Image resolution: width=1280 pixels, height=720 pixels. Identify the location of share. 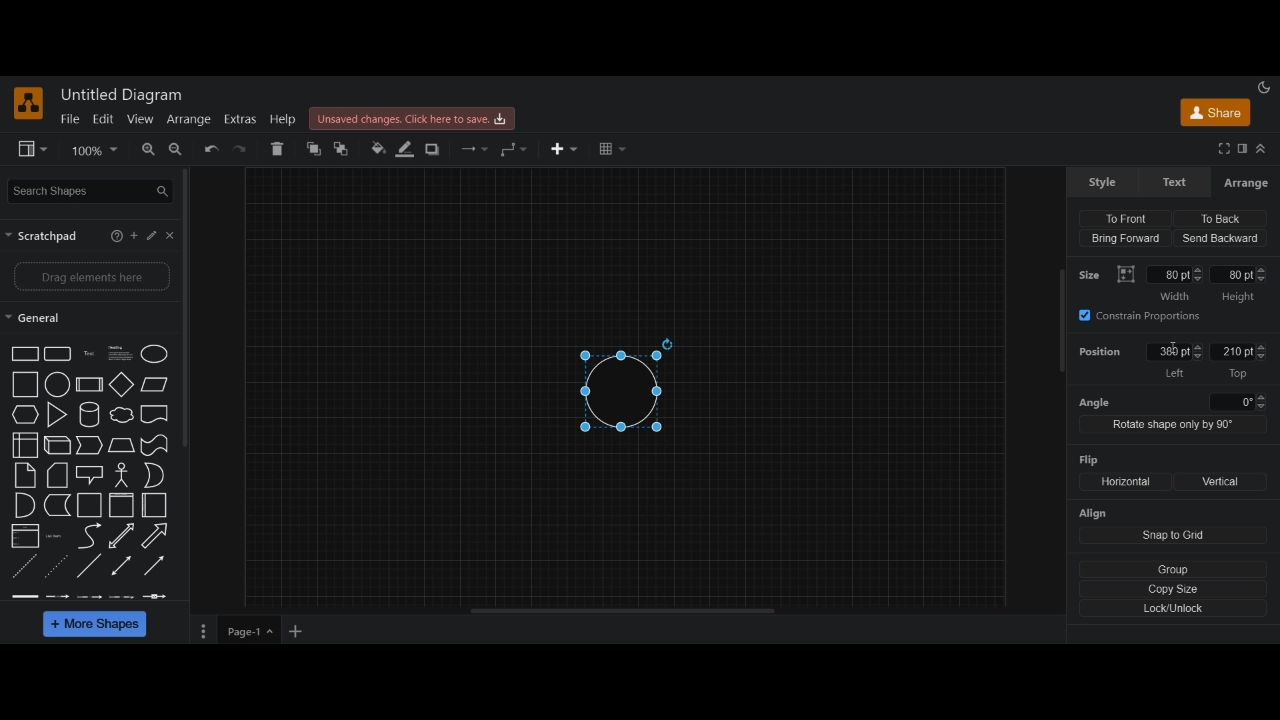
(1214, 116).